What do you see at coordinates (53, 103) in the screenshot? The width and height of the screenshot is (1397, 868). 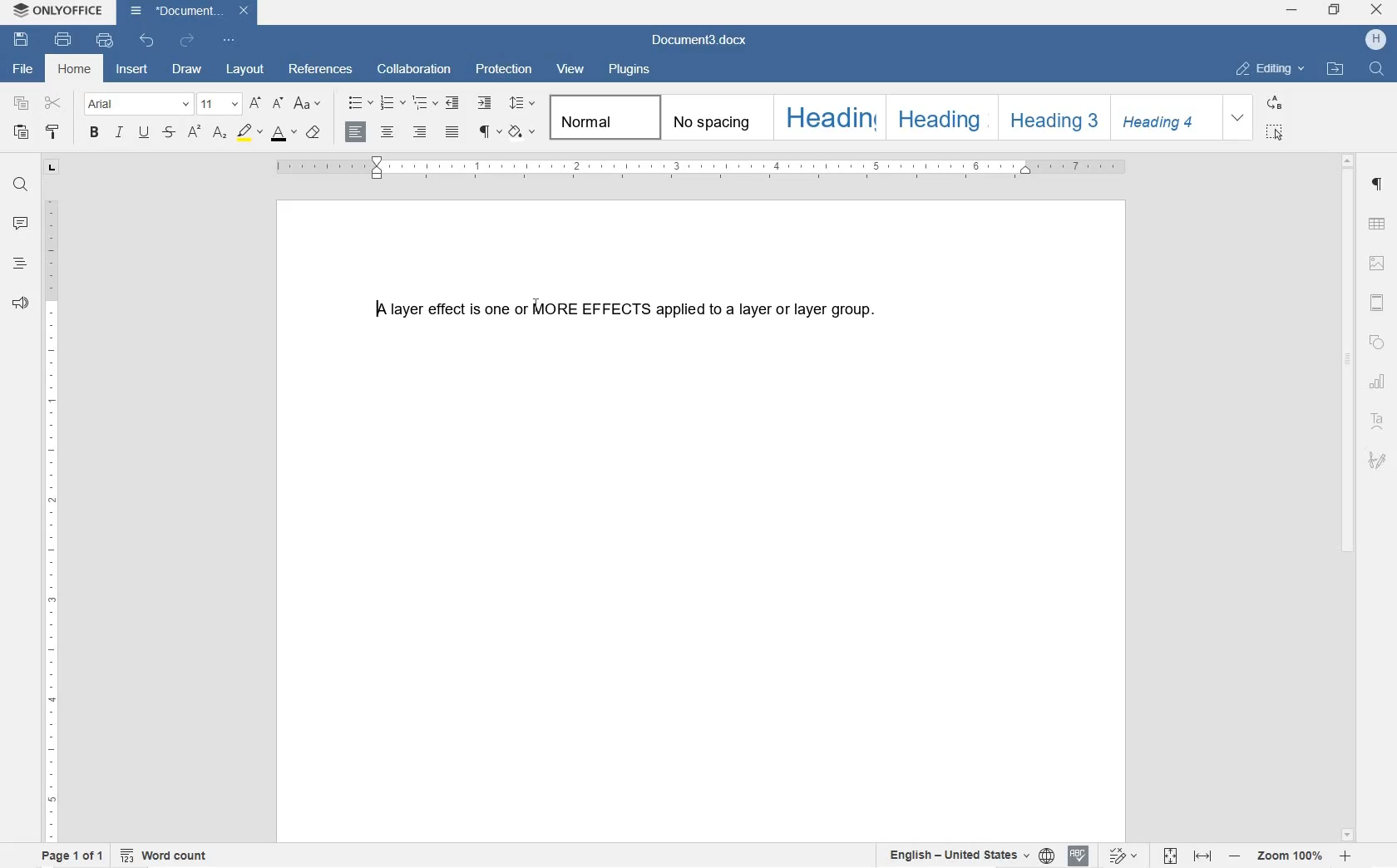 I see `CUT` at bounding box center [53, 103].